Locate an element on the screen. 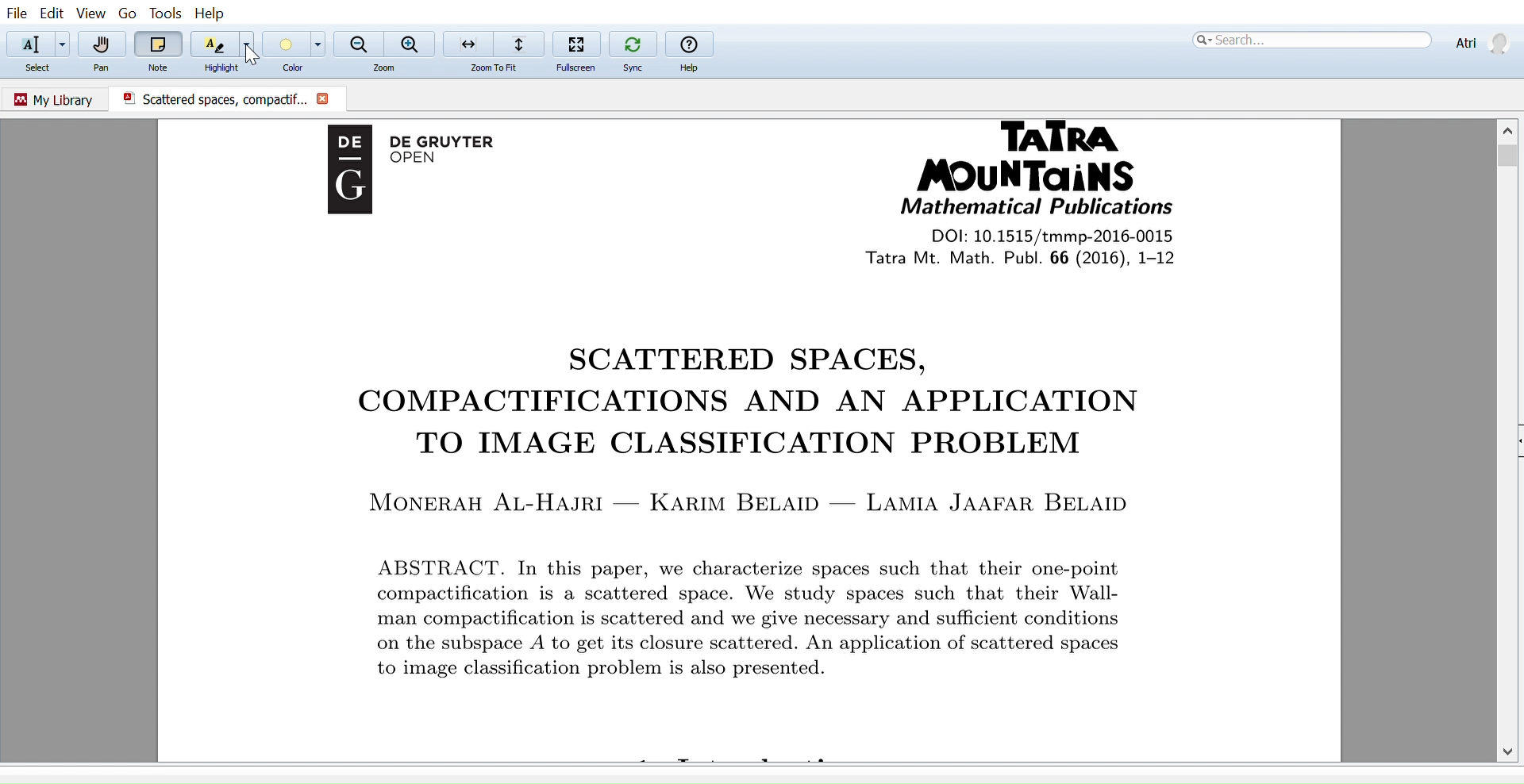 This screenshot has height=784, width=1524. cursor is located at coordinates (254, 54).